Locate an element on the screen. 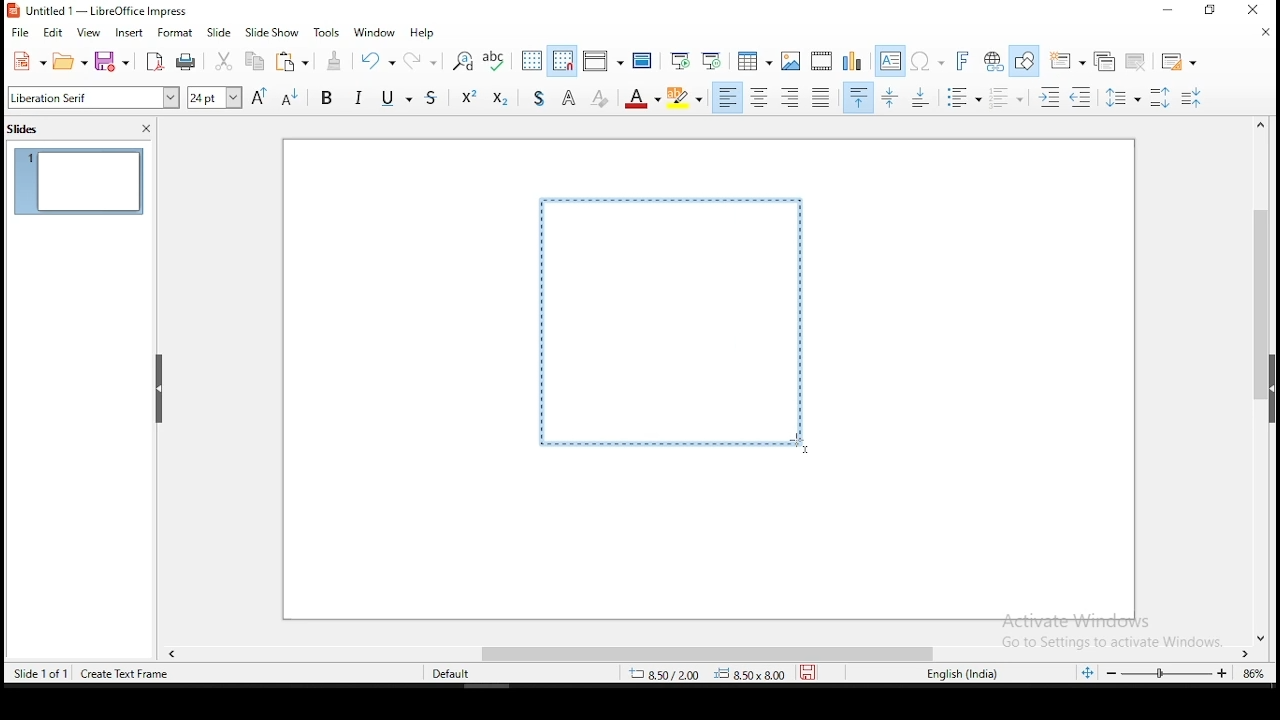 Image resolution: width=1280 pixels, height=720 pixels. start from current slide is located at coordinates (710, 62).